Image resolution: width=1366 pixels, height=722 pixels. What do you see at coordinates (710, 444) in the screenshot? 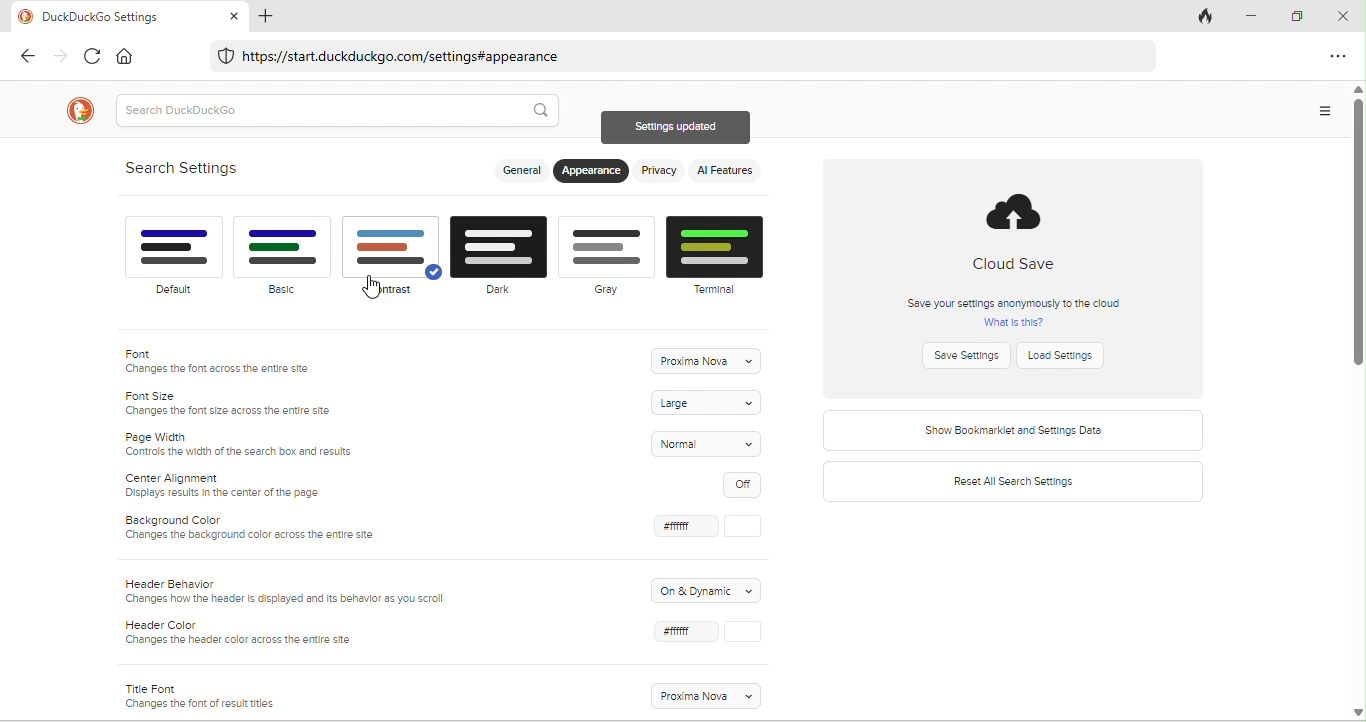
I see `normal` at bounding box center [710, 444].